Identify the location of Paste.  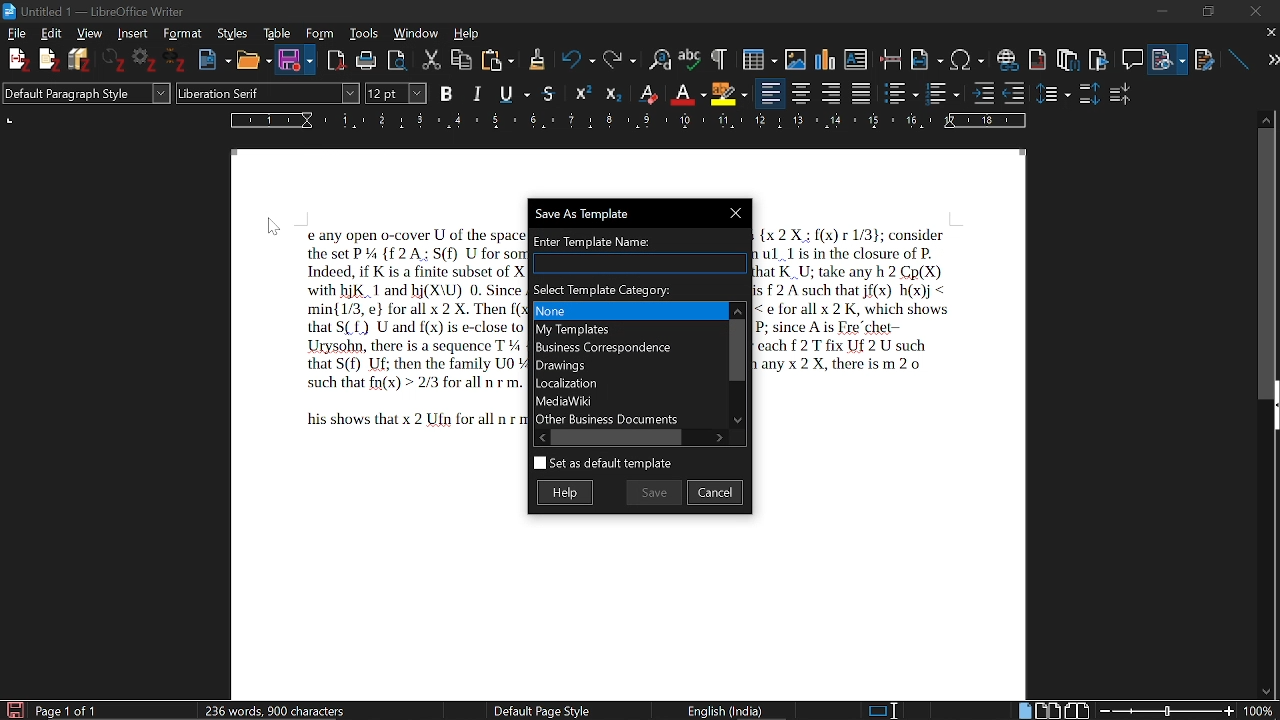
(499, 59).